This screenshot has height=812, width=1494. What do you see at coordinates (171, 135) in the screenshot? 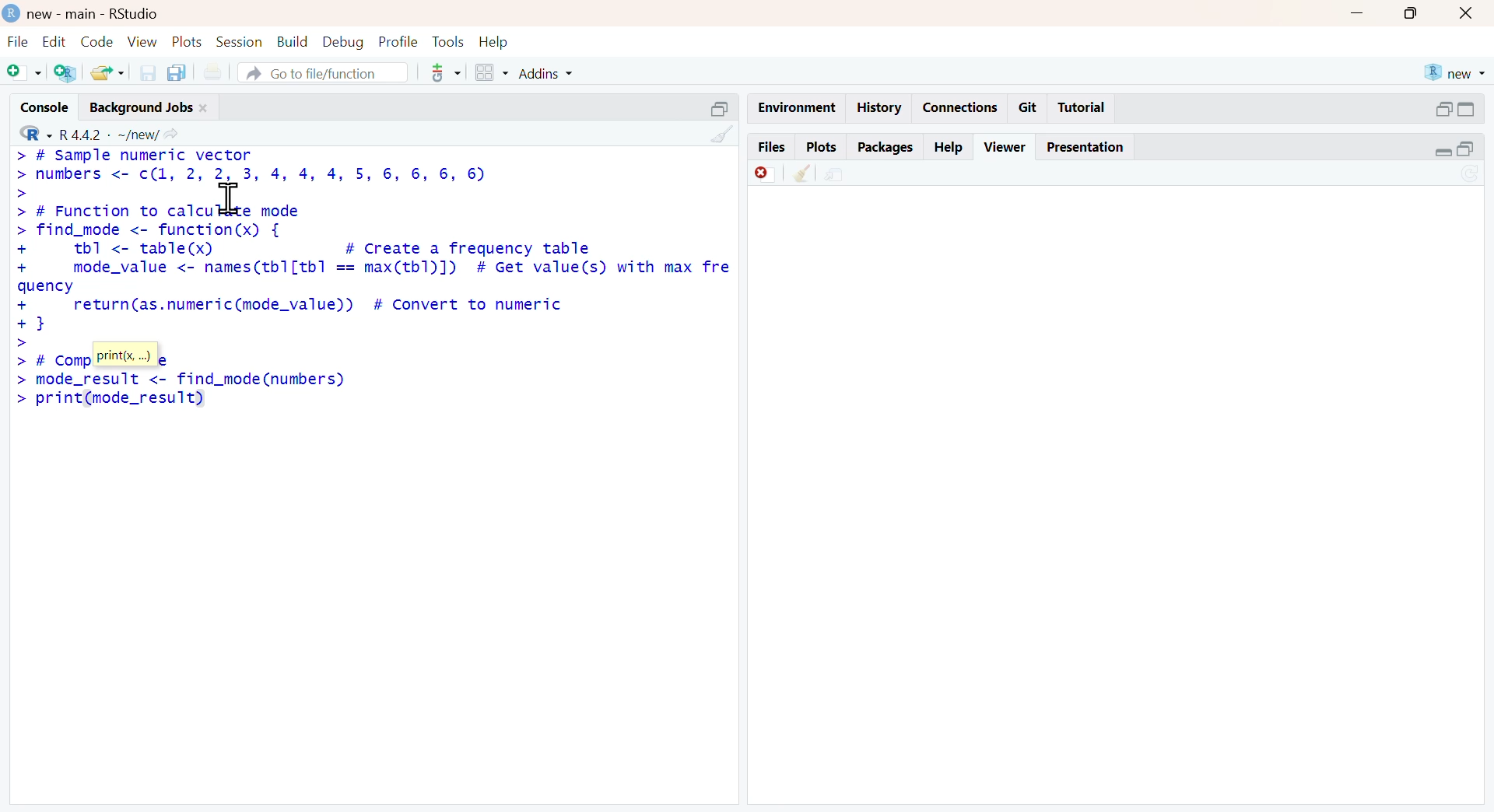
I see `share icon` at bounding box center [171, 135].